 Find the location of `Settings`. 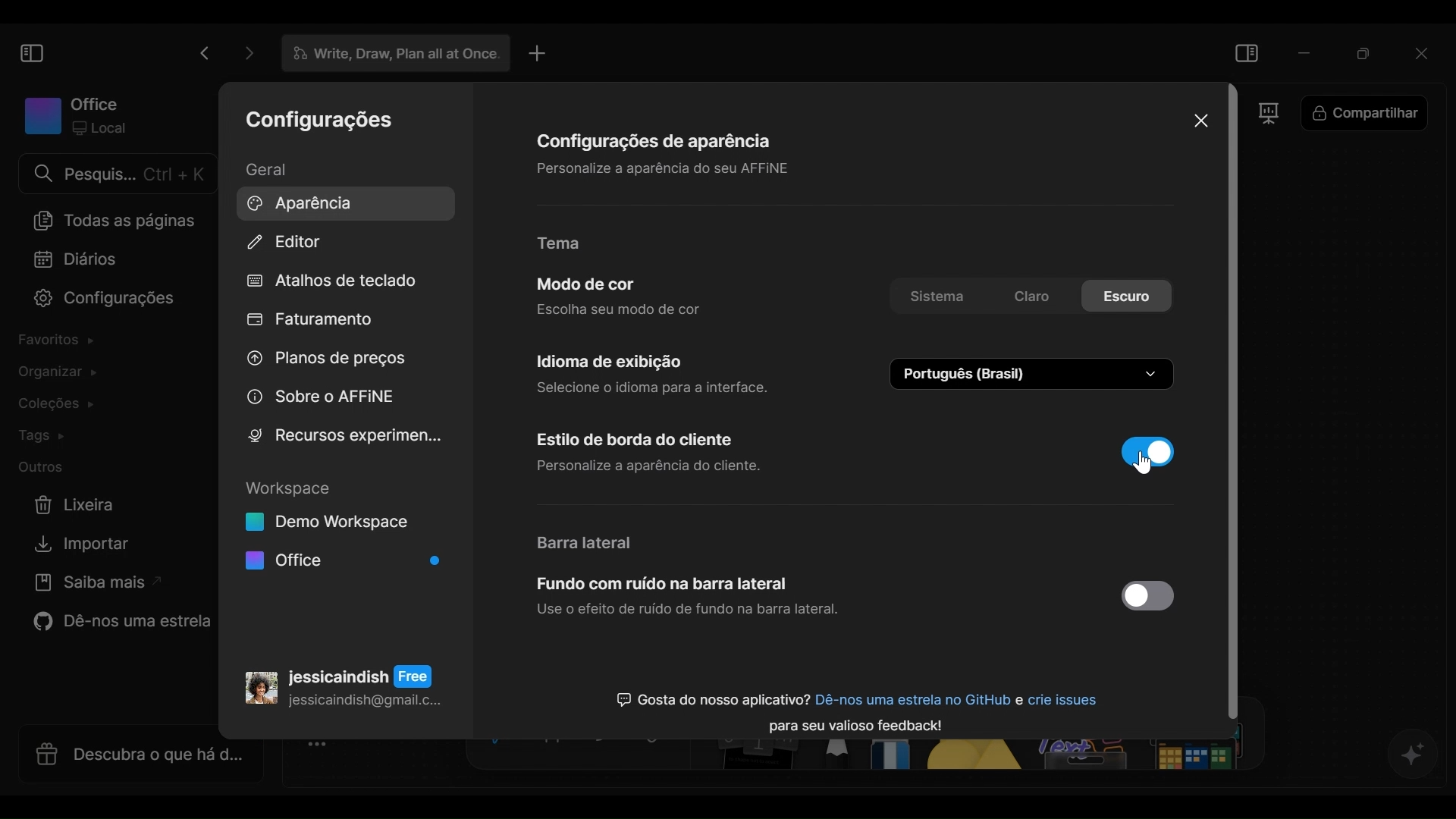

Settings is located at coordinates (320, 122).